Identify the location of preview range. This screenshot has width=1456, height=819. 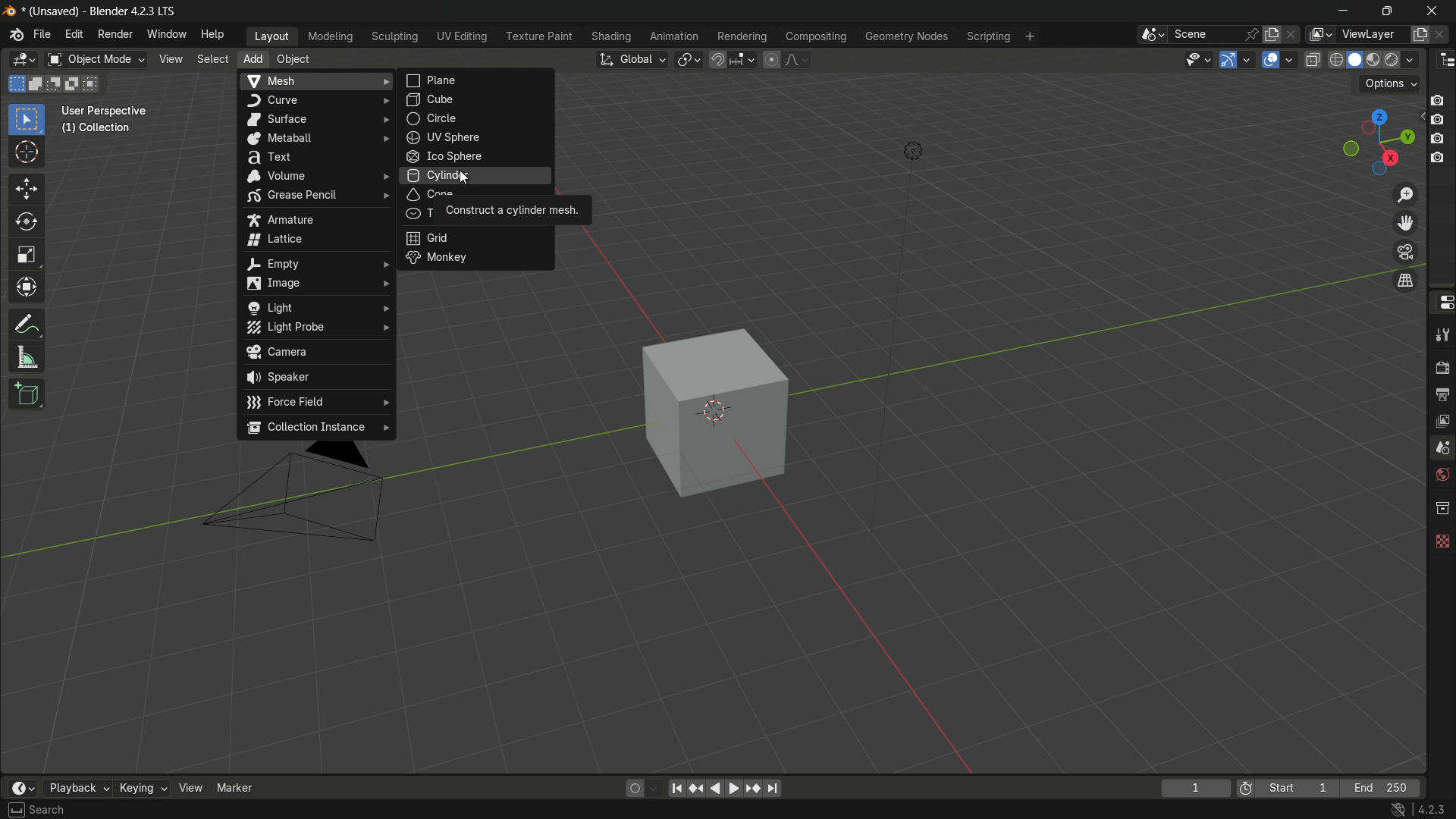
(1246, 787).